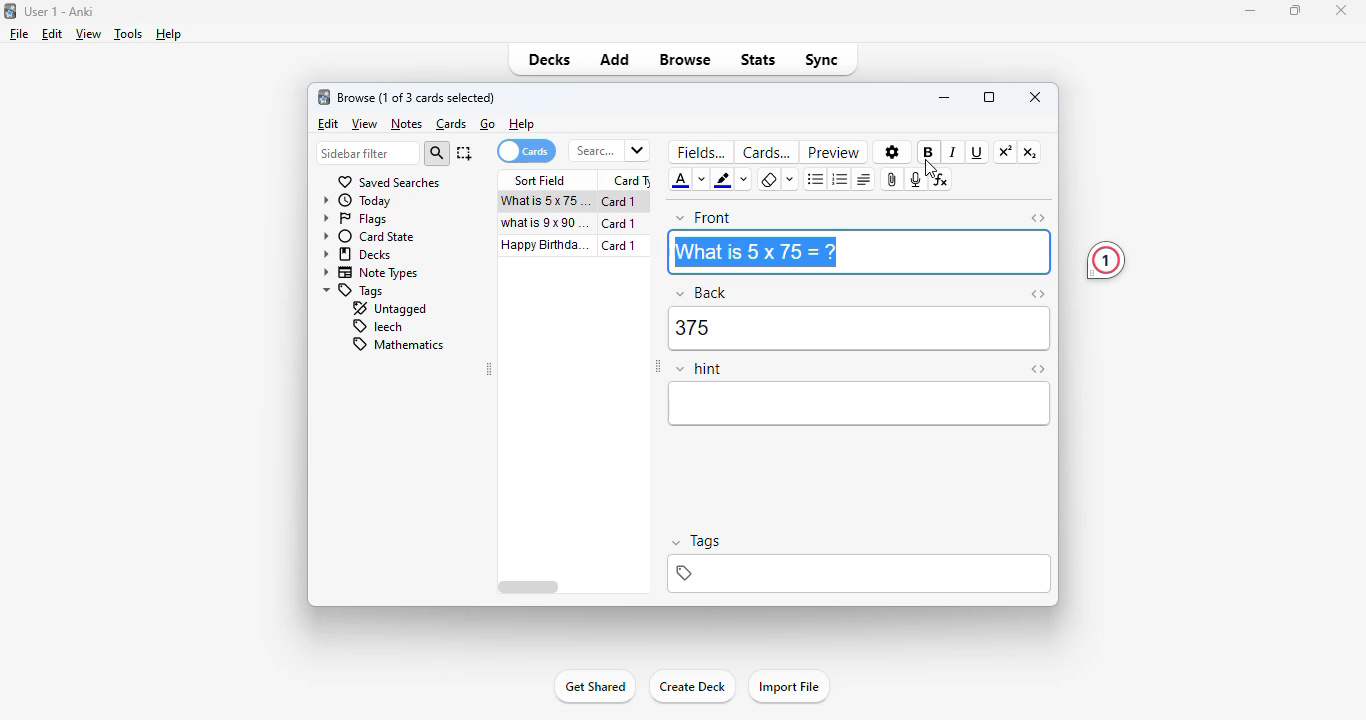 The image size is (1366, 720). Describe the element at coordinates (894, 180) in the screenshot. I see `attach pictures/audio/video` at that location.